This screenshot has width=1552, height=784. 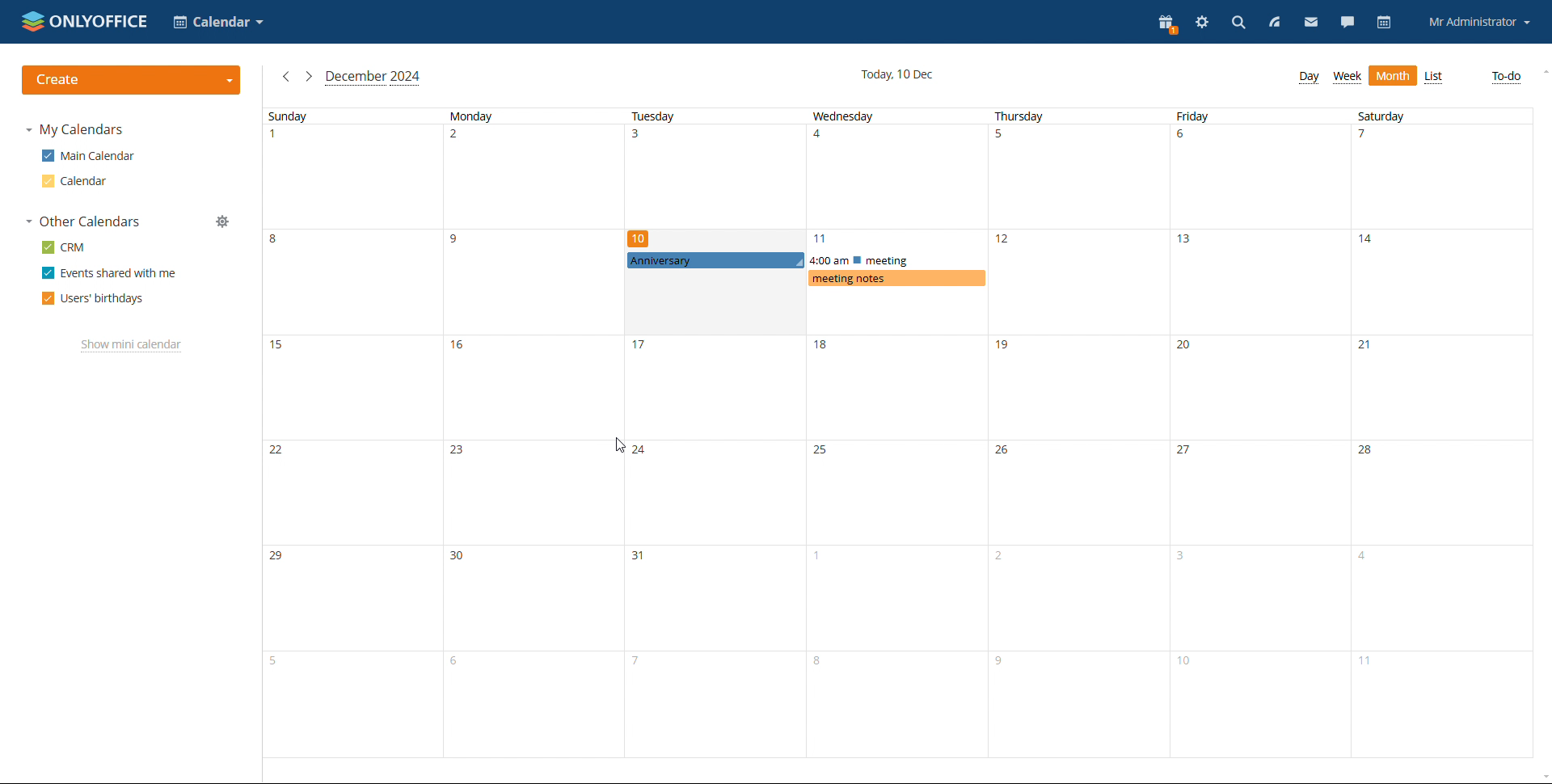 What do you see at coordinates (83, 221) in the screenshot?
I see `other calendars` at bounding box center [83, 221].